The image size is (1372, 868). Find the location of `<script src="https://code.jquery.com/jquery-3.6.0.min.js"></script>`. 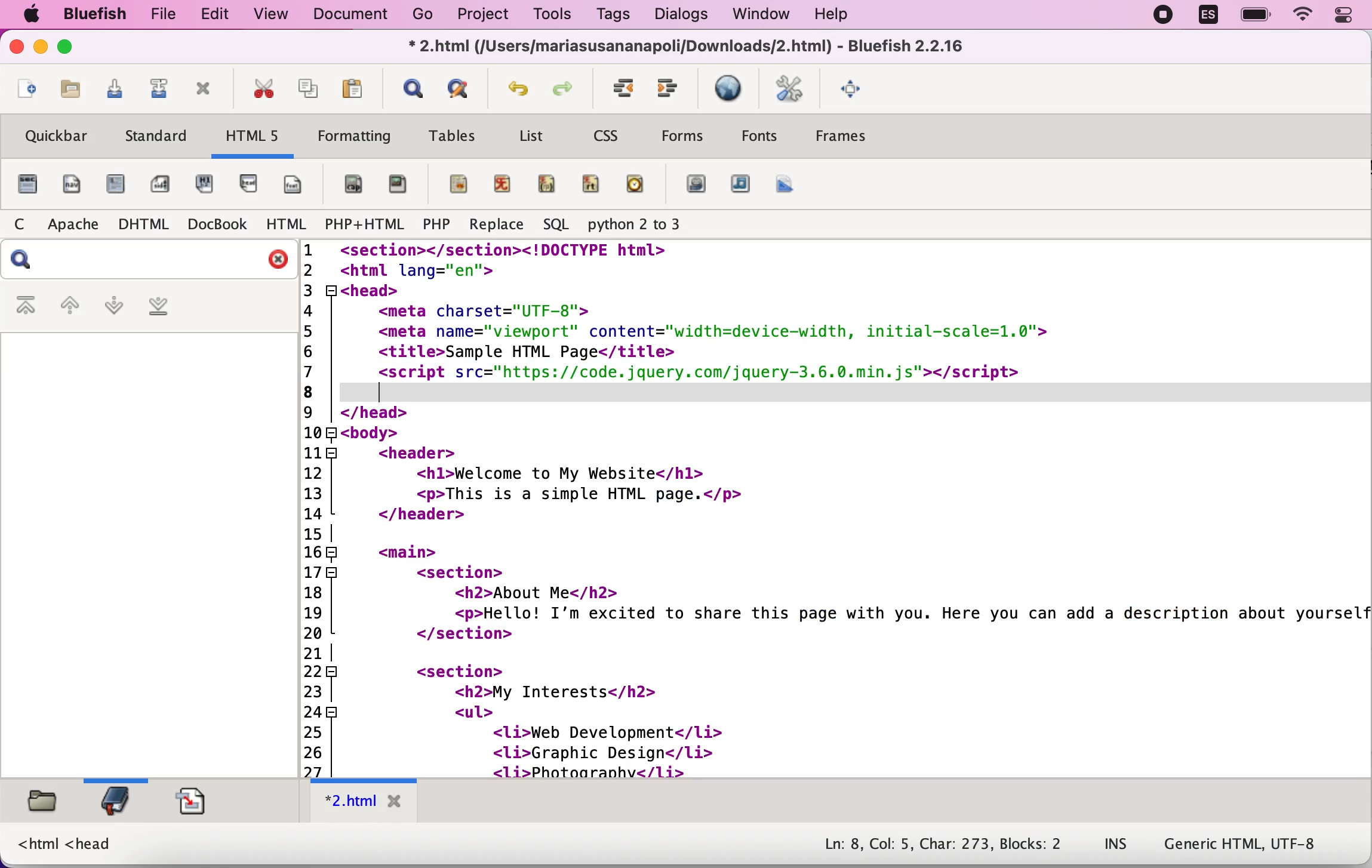

<script src="https://code.jquery.com/jquery-3.6.0.min.js"></script> is located at coordinates (693, 373).